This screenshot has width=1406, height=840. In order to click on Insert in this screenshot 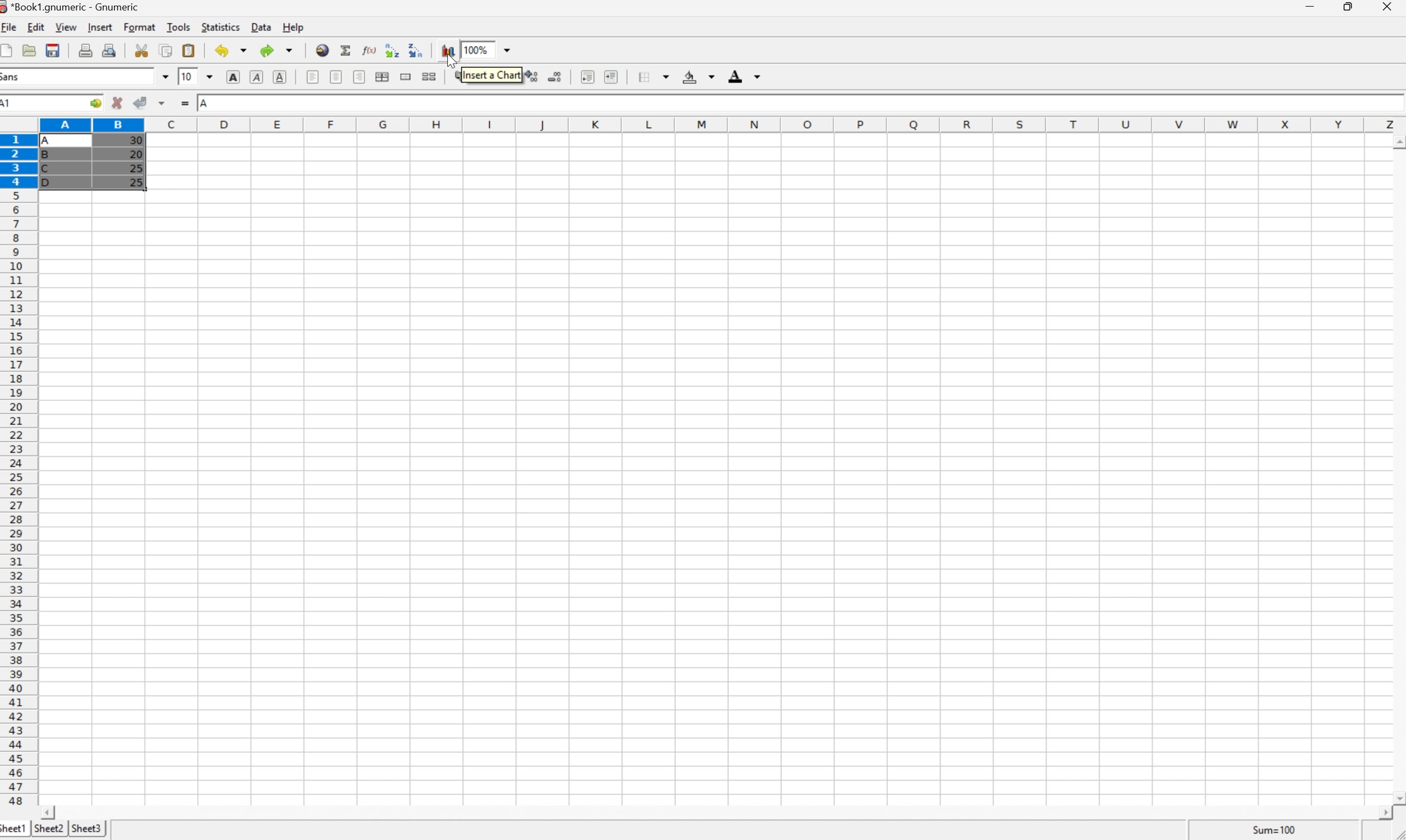, I will do `click(102, 28)`.